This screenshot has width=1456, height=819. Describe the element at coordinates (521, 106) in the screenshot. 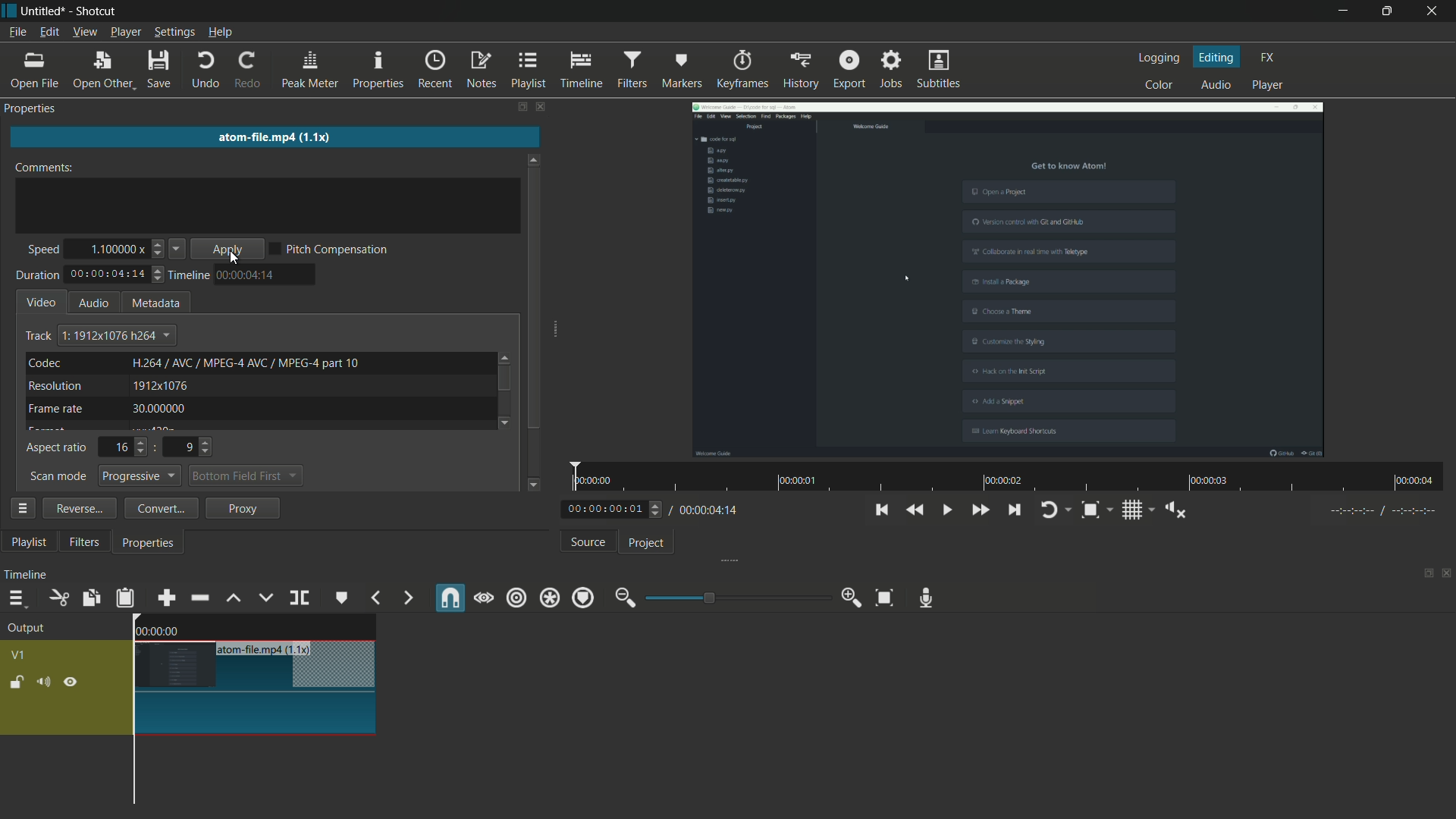

I see `change layout` at that location.